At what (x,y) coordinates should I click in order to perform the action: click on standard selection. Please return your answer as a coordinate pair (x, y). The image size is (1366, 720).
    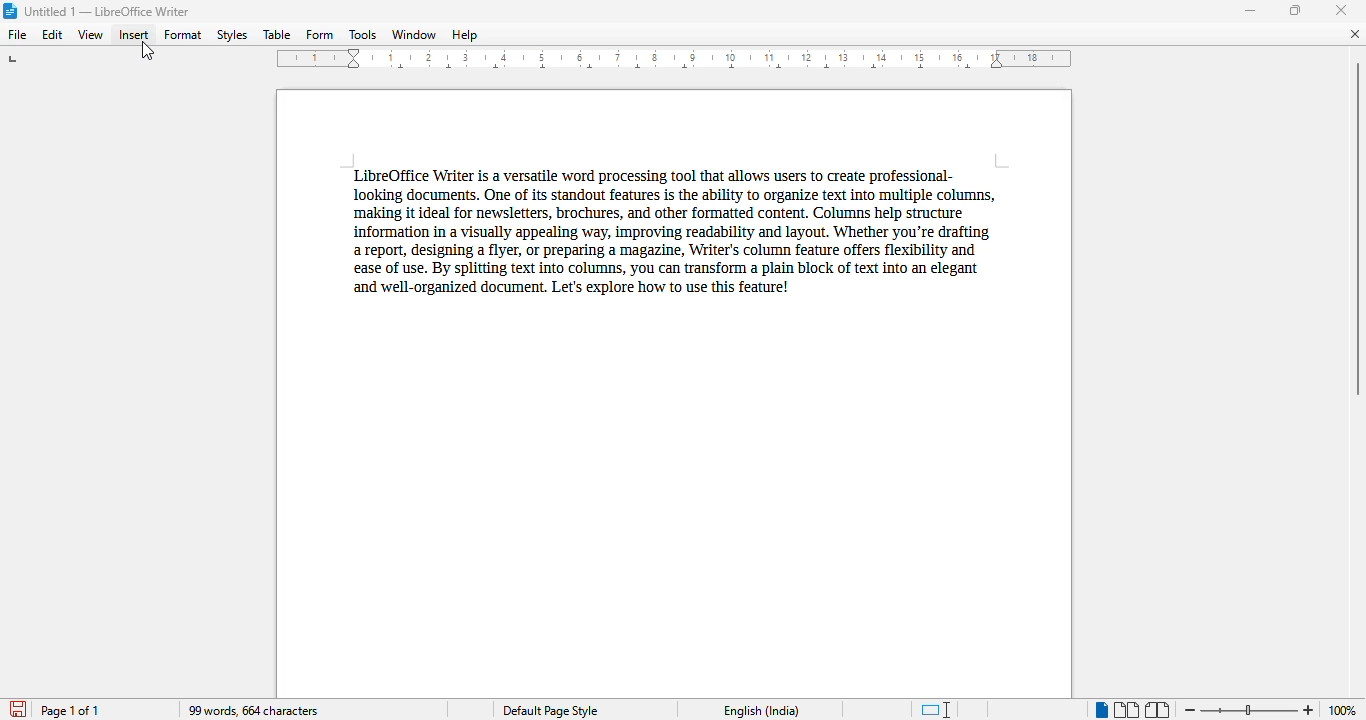
    Looking at the image, I should click on (937, 710).